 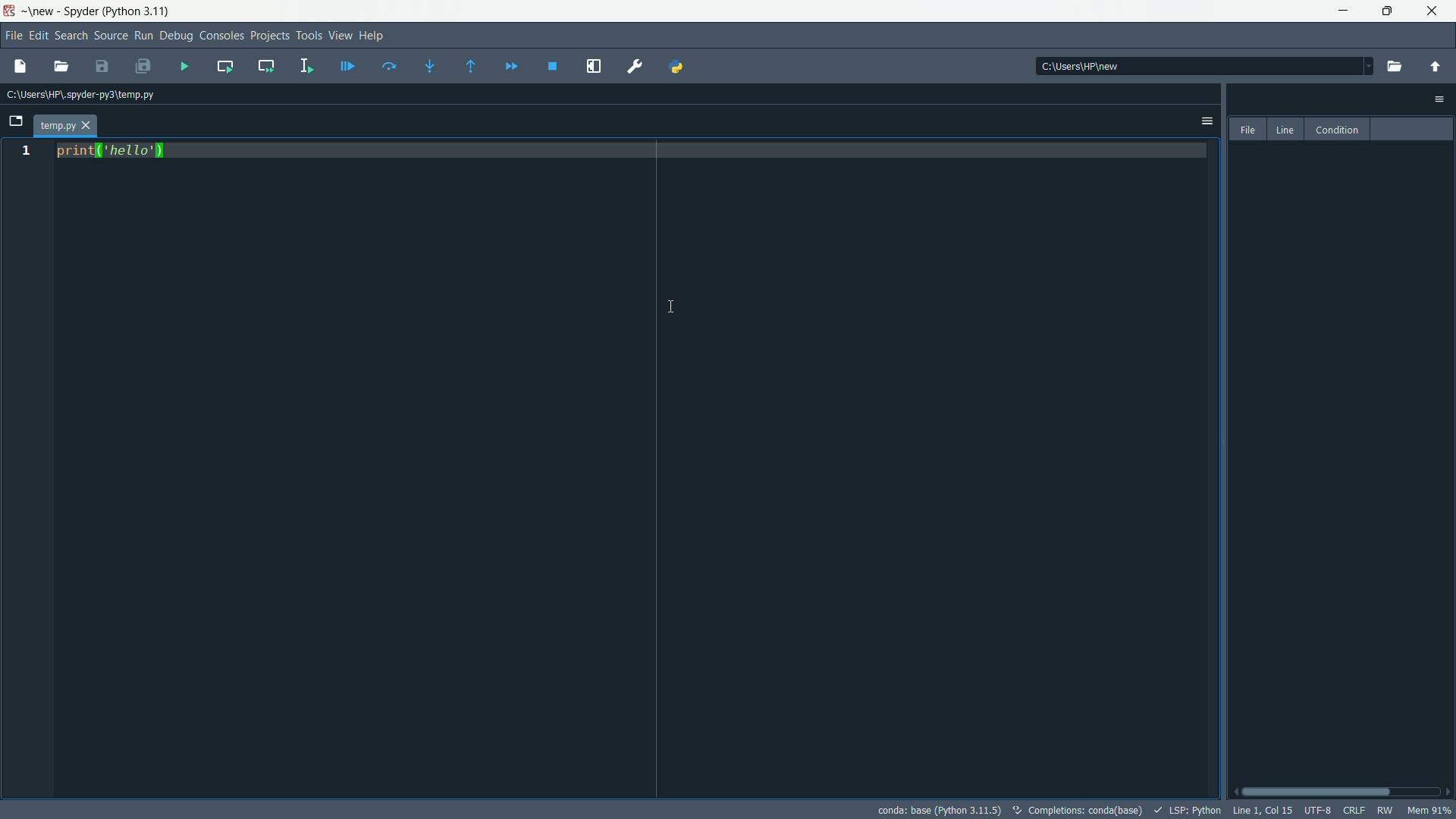 What do you see at coordinates (1354, 808) in the screenshot?
I see `file eol status` at bounding box center [1354, 808].